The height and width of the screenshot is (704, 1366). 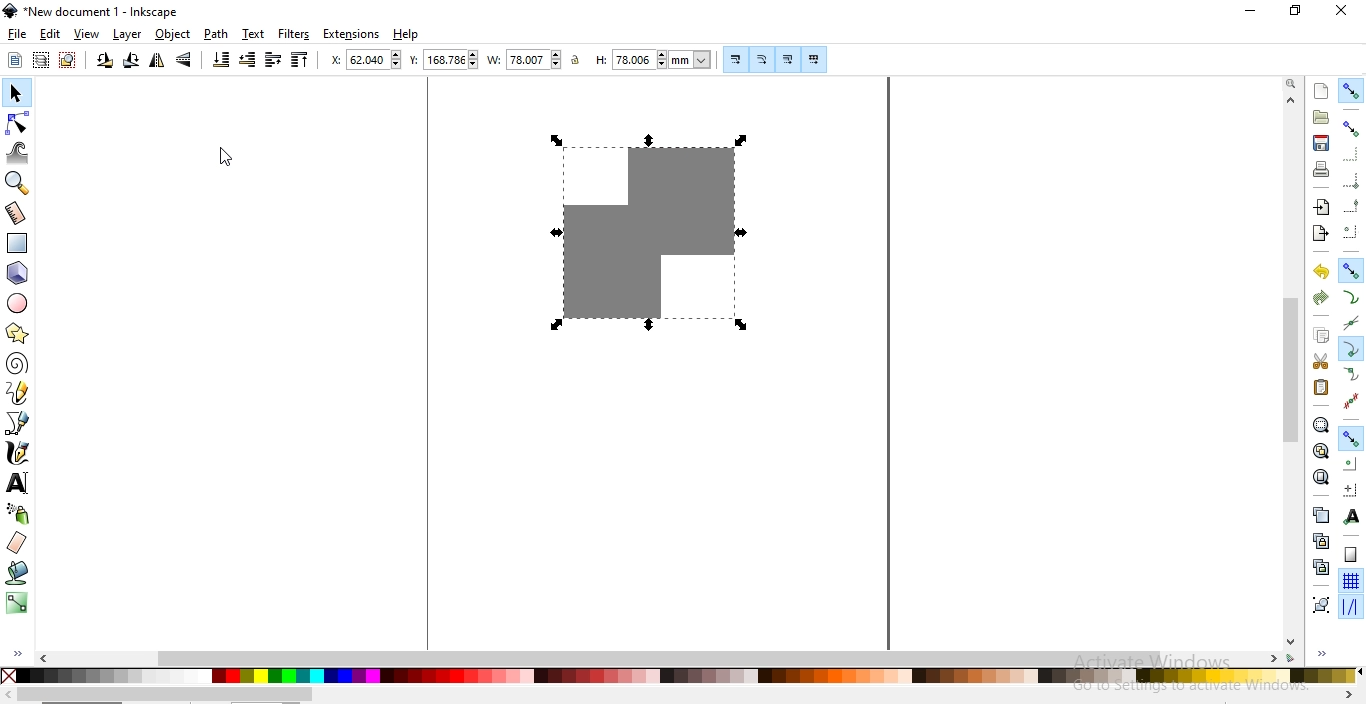 I want to click on draw freehand lines, so click(x=18, y=392).